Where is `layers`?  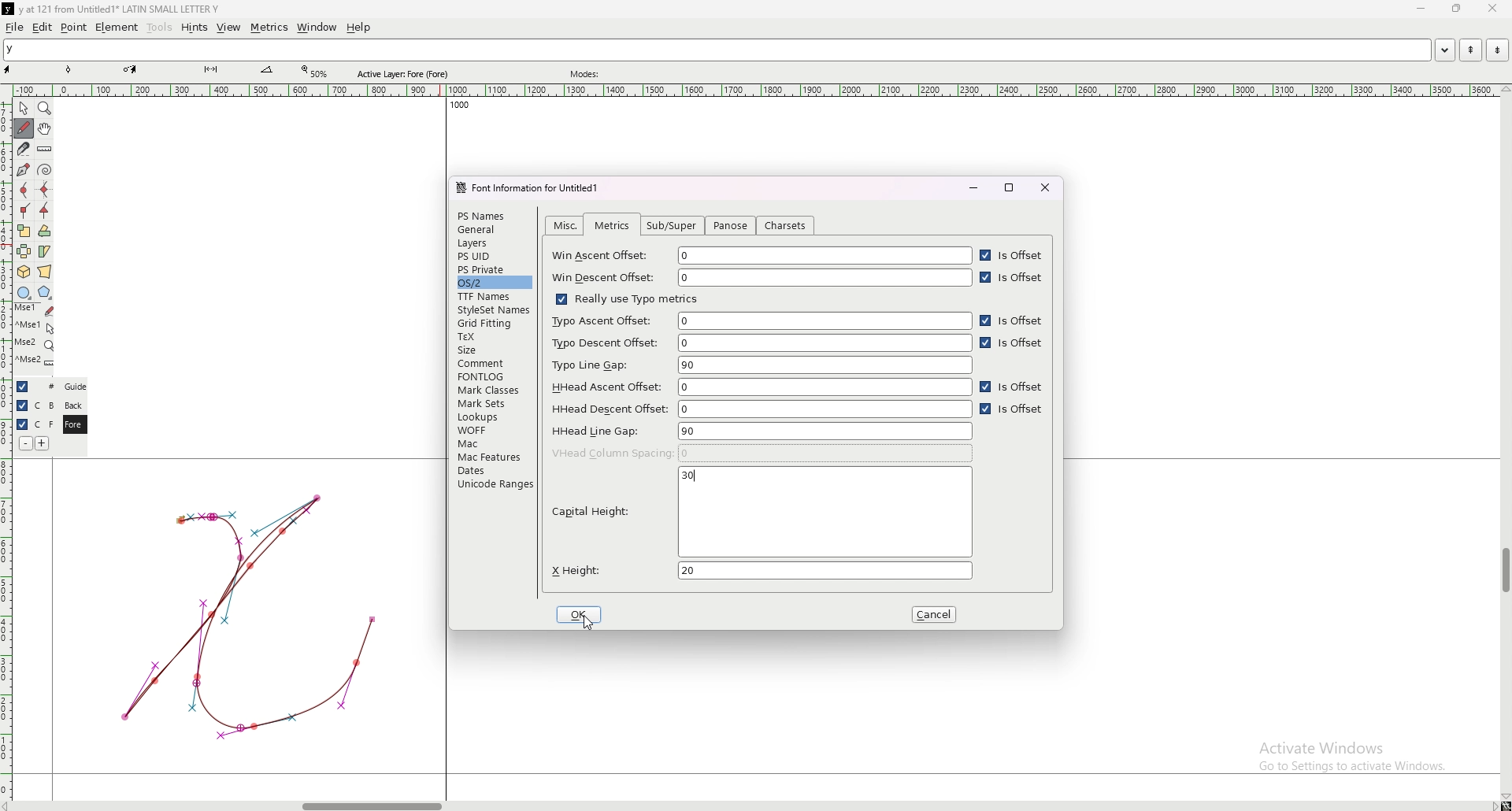
layers is located at coordinates (492, 243).